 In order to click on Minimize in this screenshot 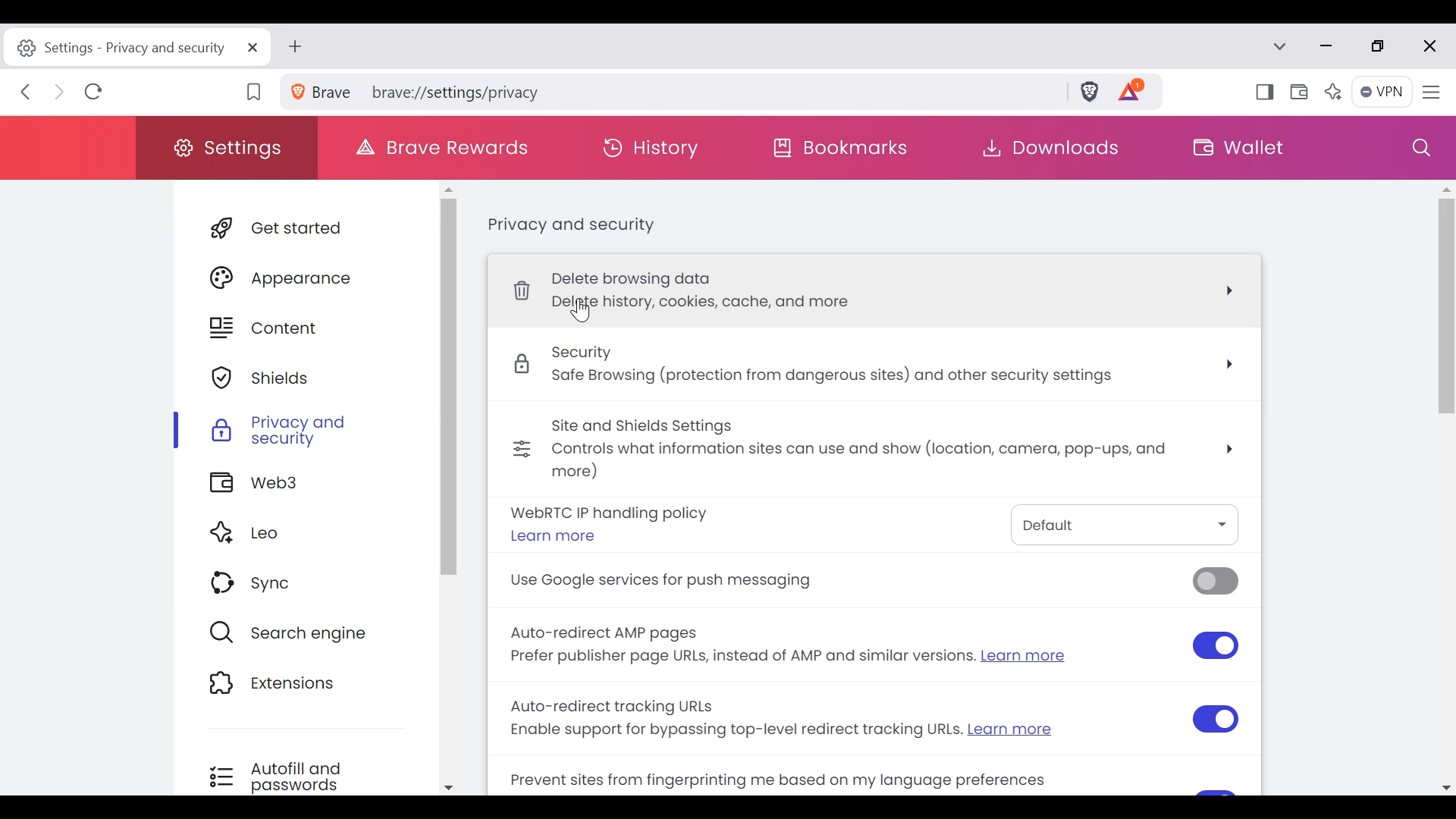, I will do `click(1329, 47)`.